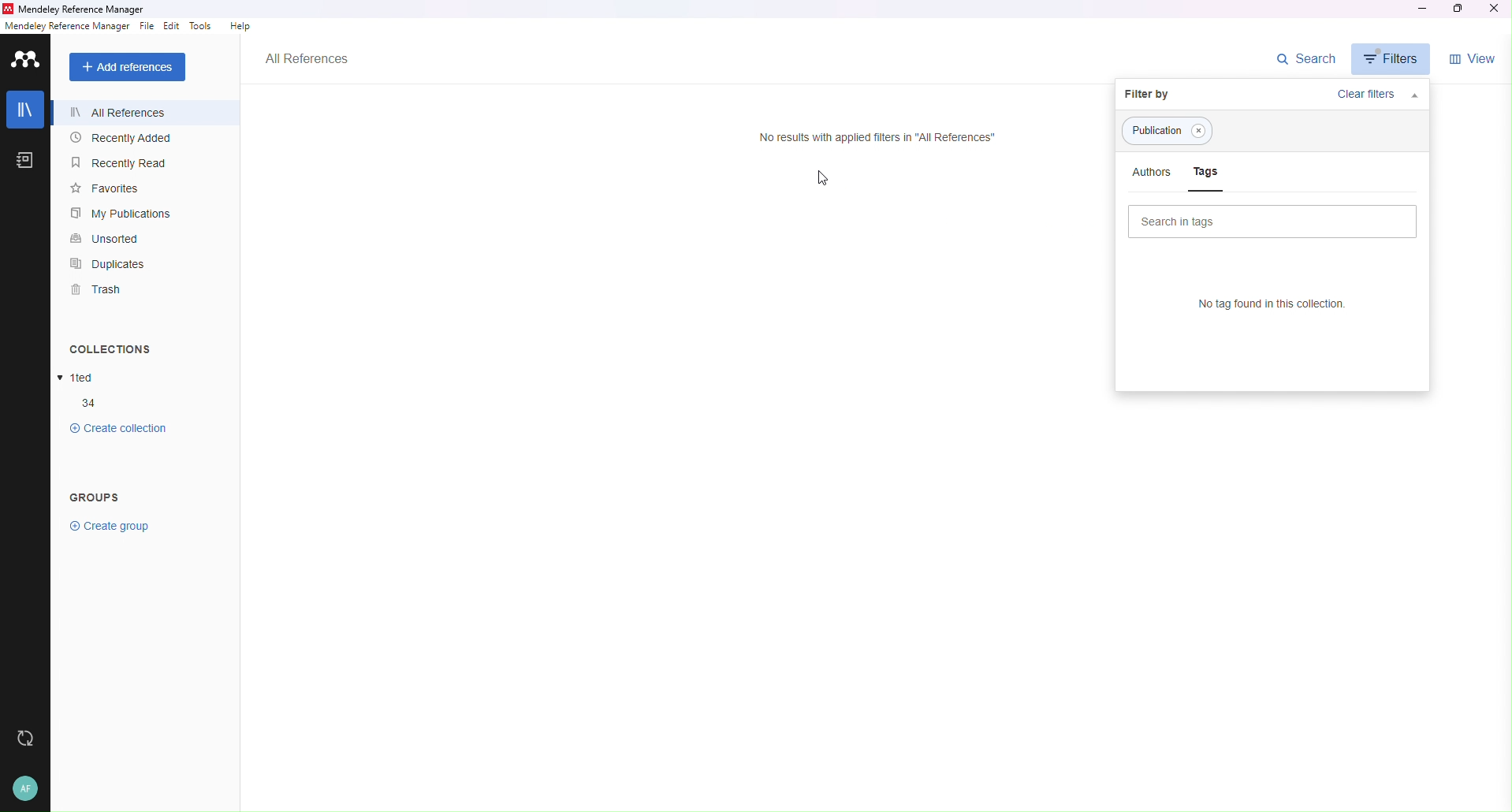  What do you see at coordinates (1421, 9) in the screenshot?
I see `Minimize` at bounding box center [1421, 9].